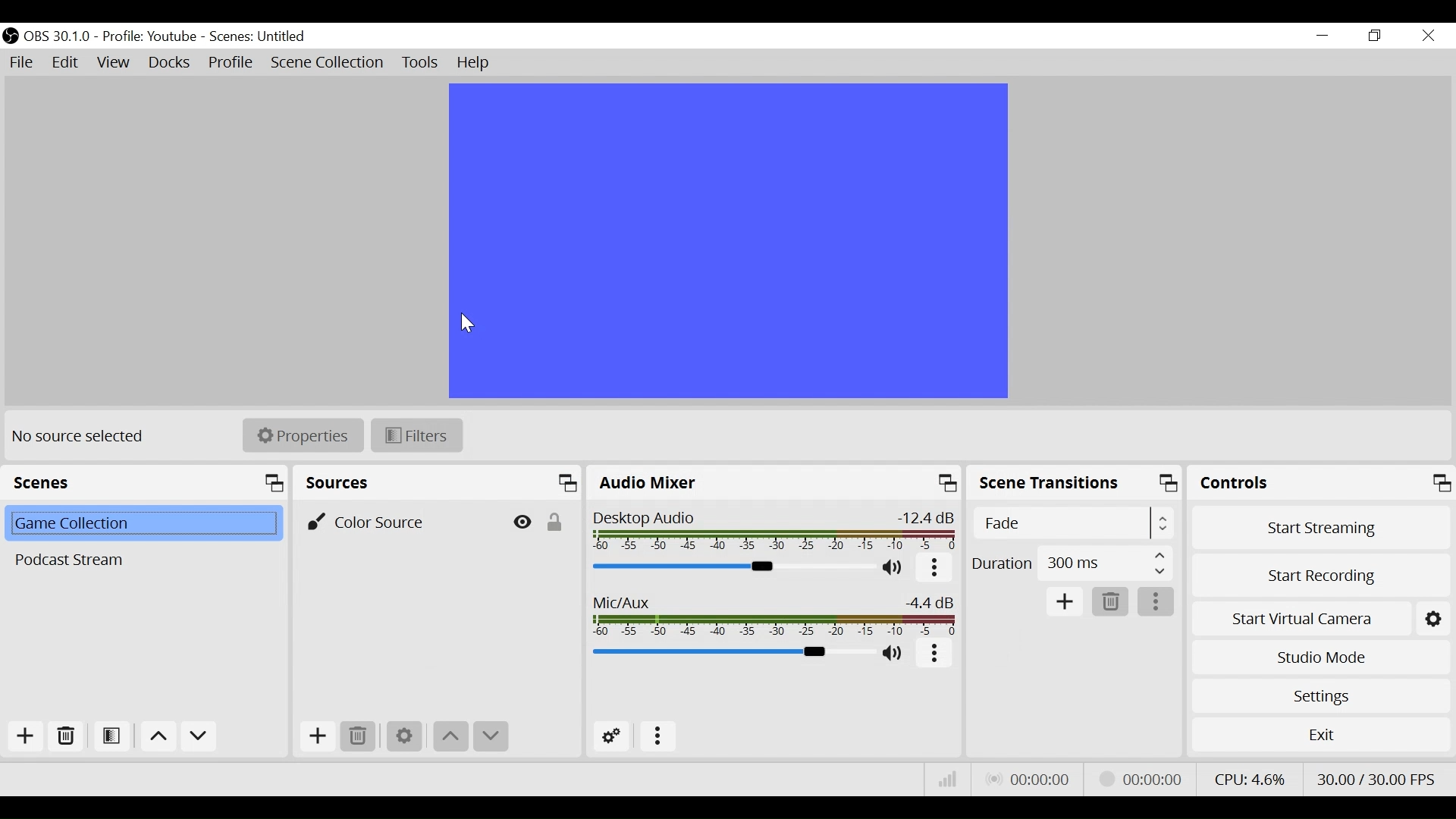 The image size is (1456, 819). Describe the element at coordinates (520, 520) in the screenshot. I see `Hide/Display` at that location.